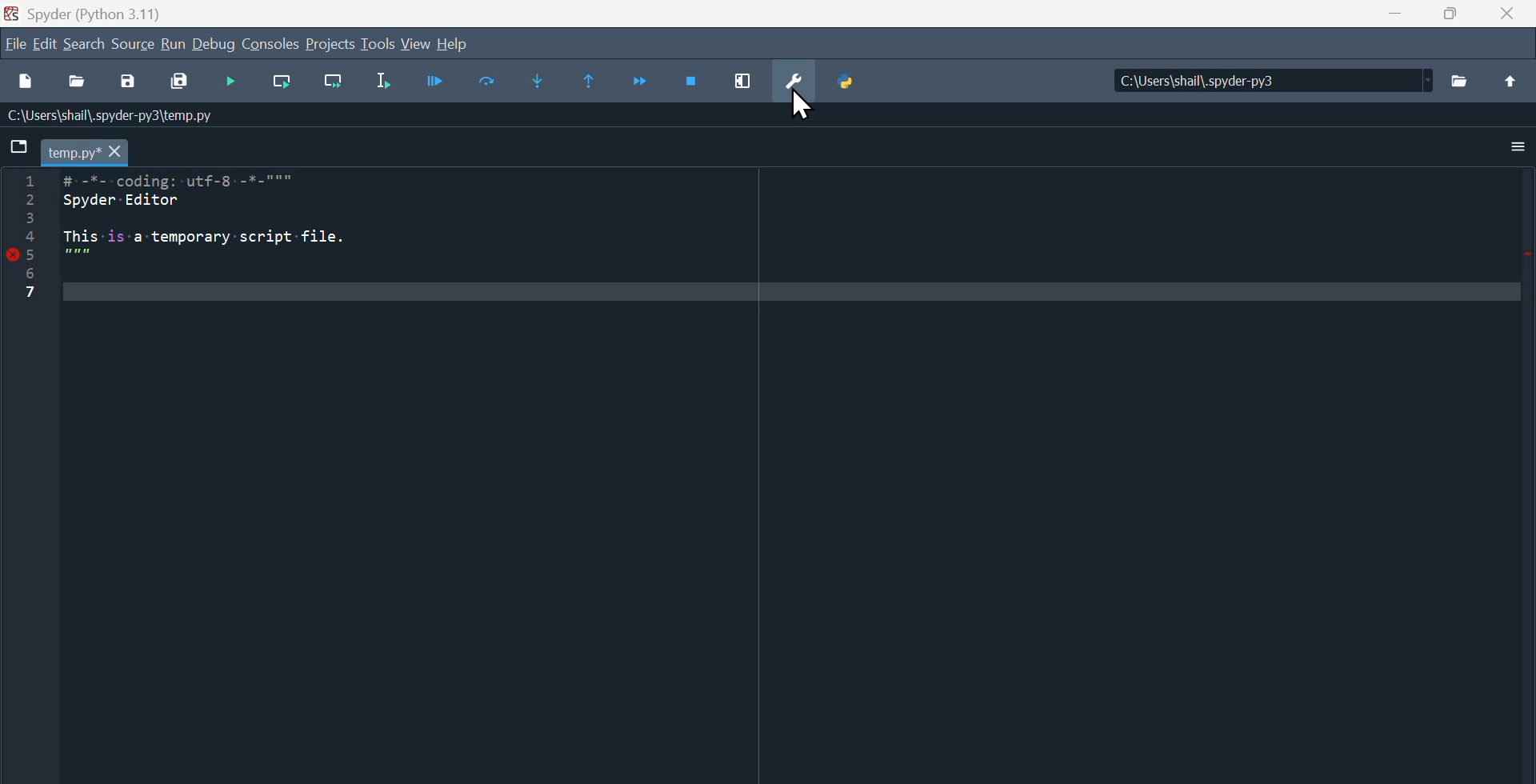 This screenshot has height=784, width=1536. What do you see at coordinates (806, 107) in the screenshot?
I see `Cursor on Preferences` at bounding box center [806, 107].